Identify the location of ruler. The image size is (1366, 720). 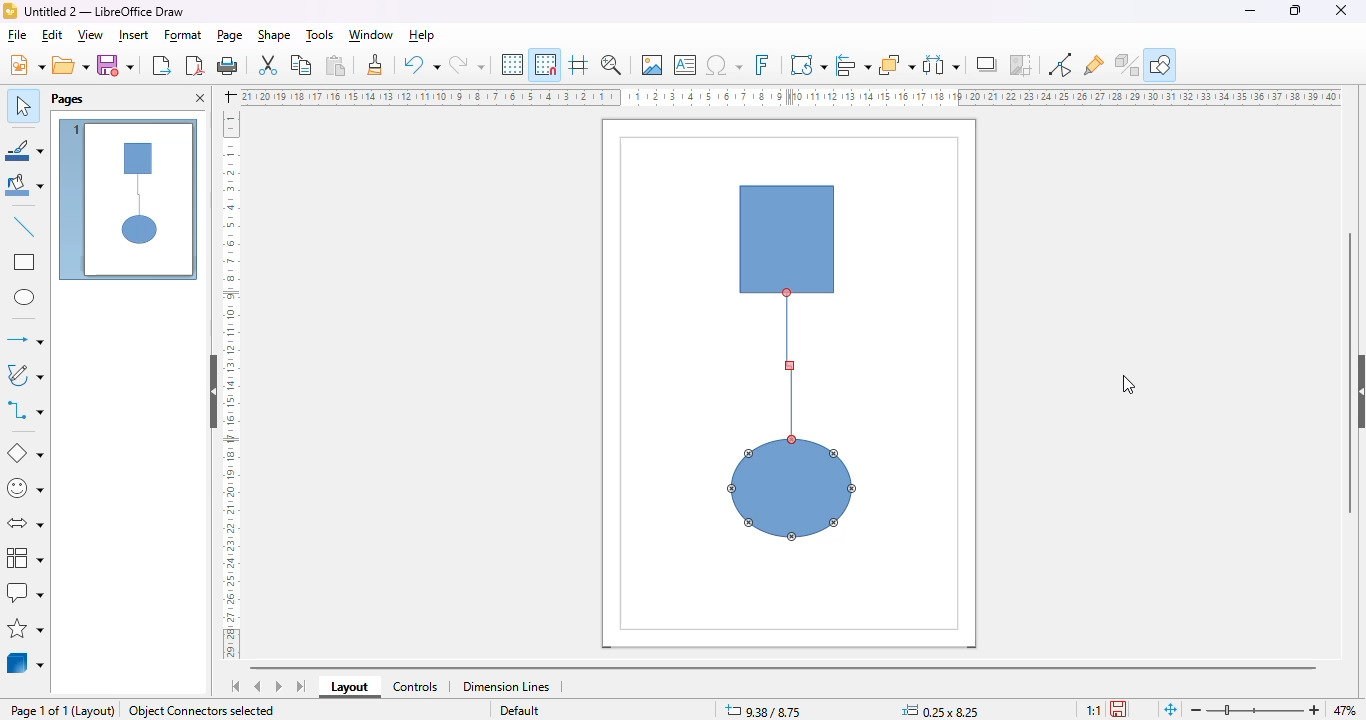
(231, 385).